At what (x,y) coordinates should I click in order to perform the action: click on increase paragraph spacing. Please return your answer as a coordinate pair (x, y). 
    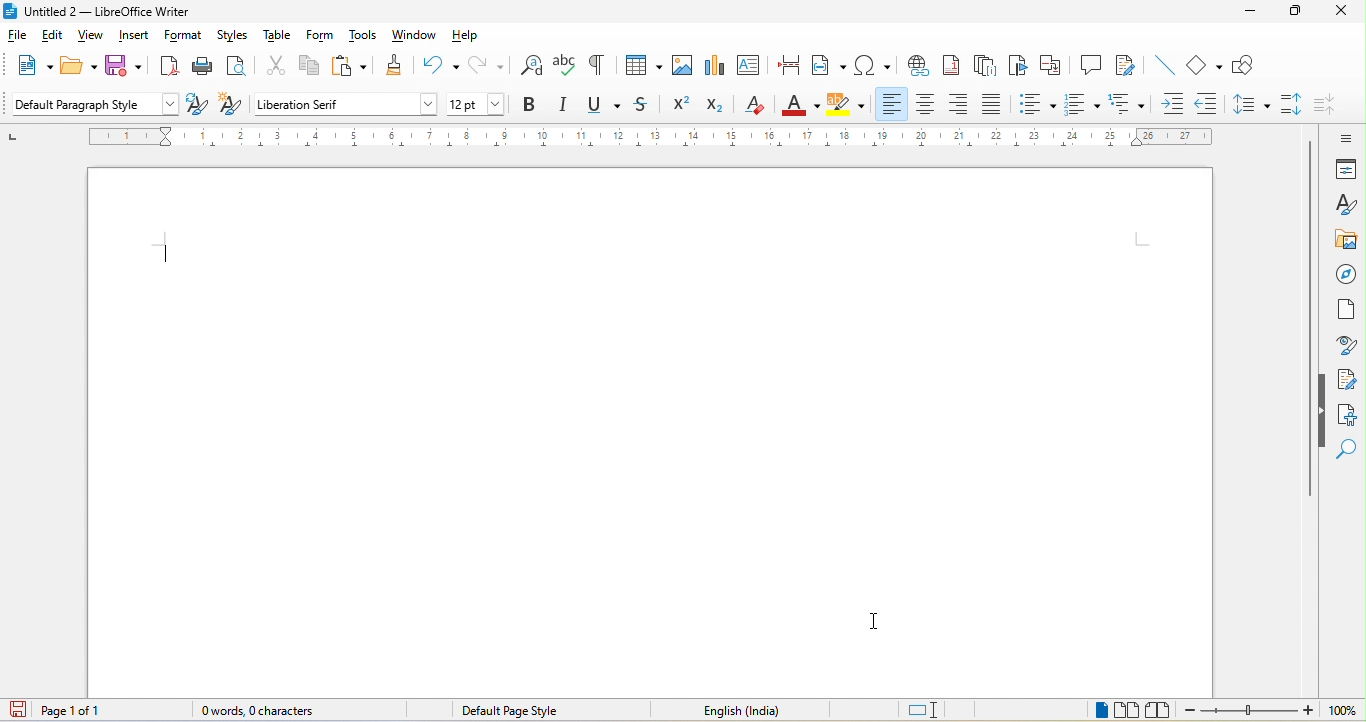
    Looking at the image, I should click on (1293, 107).